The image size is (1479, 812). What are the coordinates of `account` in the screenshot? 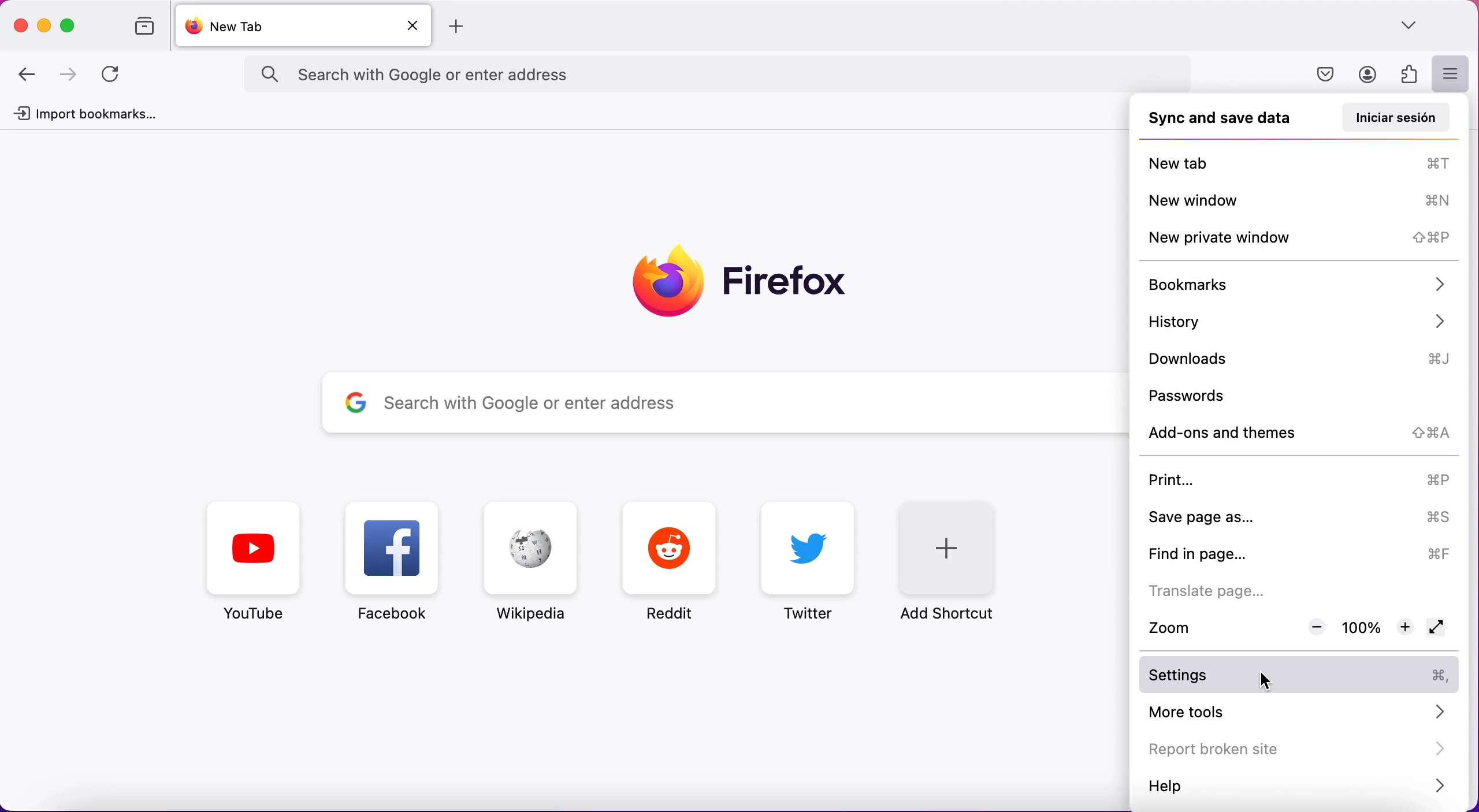 It's located at (1365, 75).